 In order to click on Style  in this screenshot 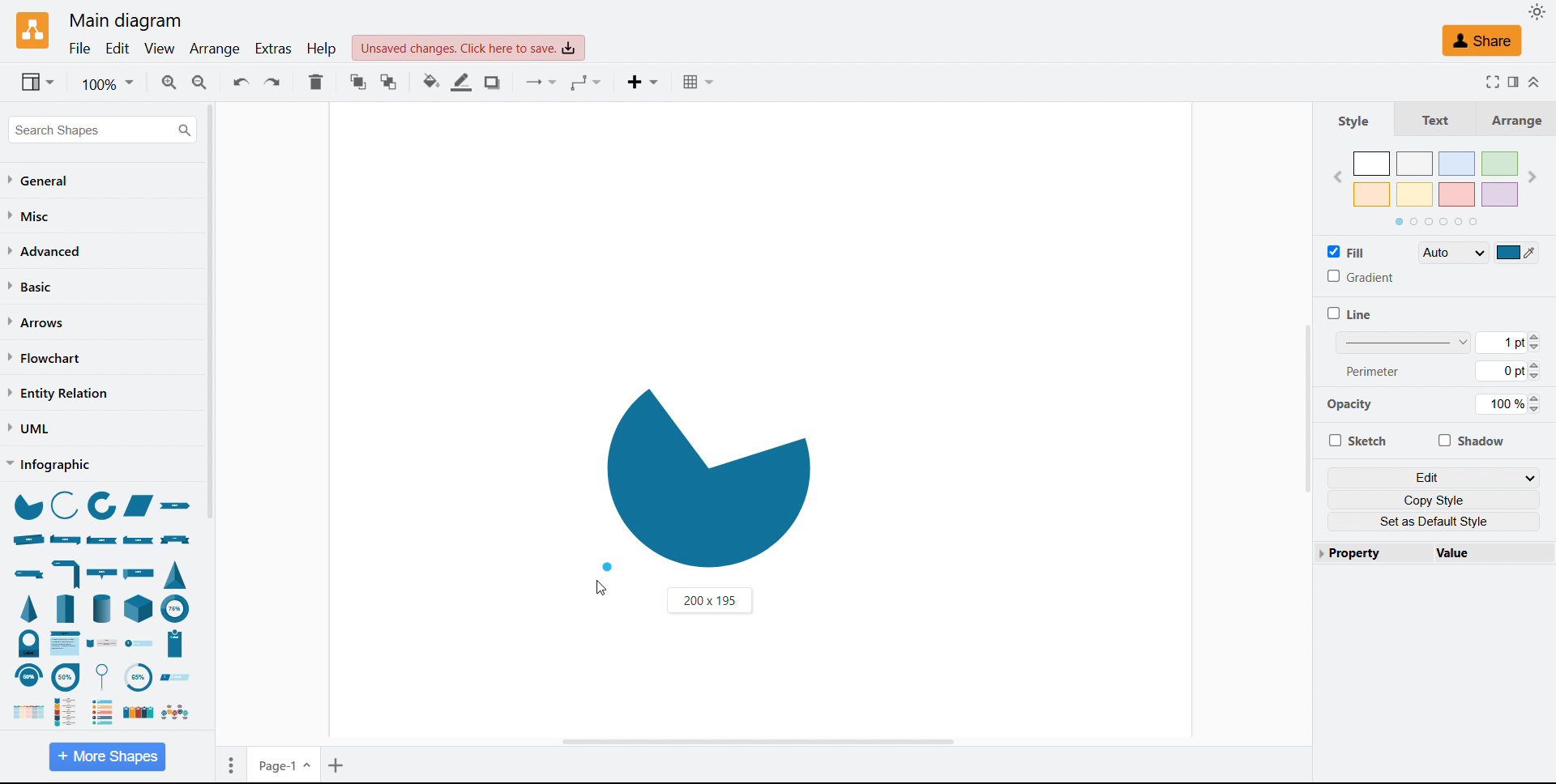, I will do `click(1354, 120)`.